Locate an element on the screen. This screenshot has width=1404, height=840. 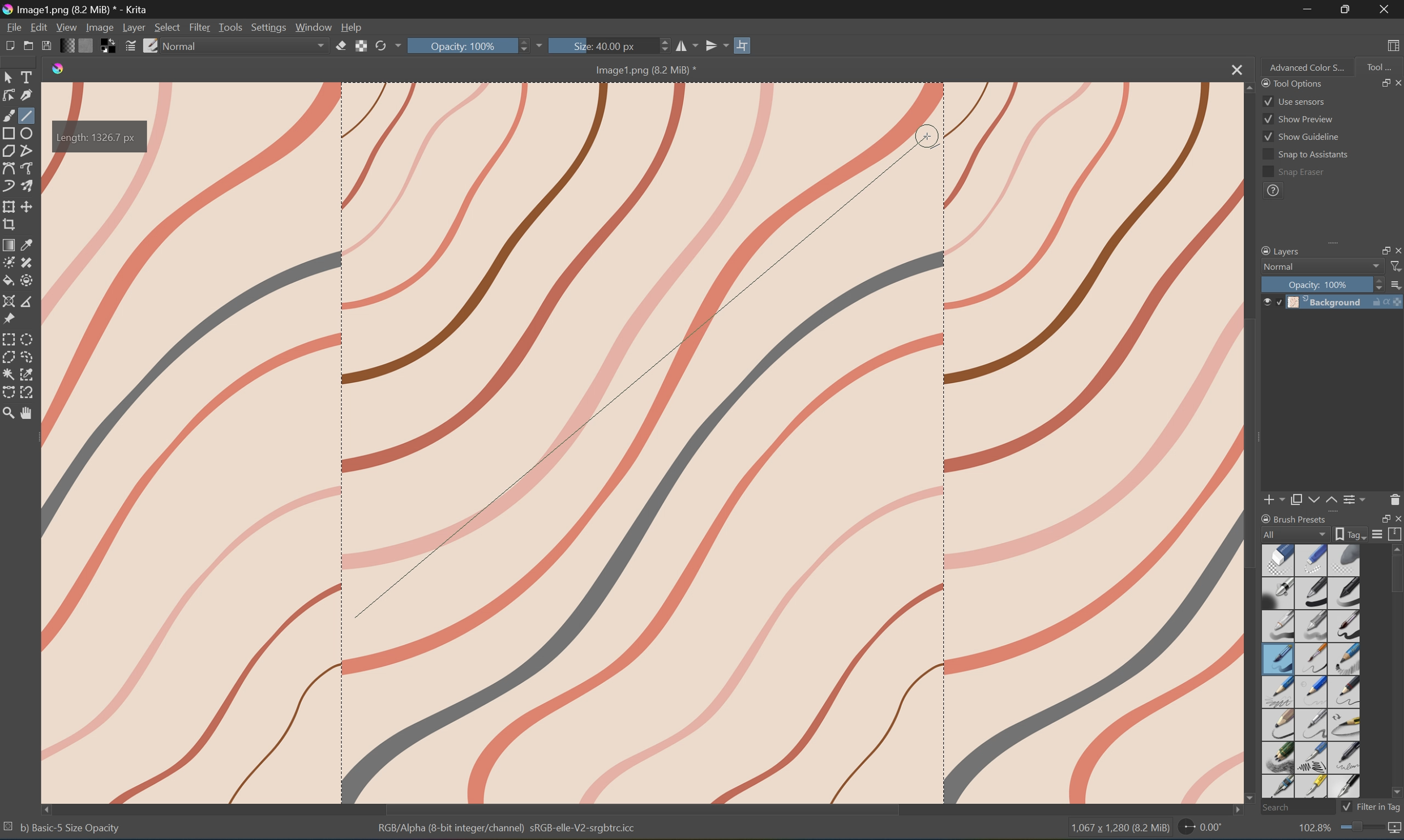
Background is located at coordinates (1347, 302).